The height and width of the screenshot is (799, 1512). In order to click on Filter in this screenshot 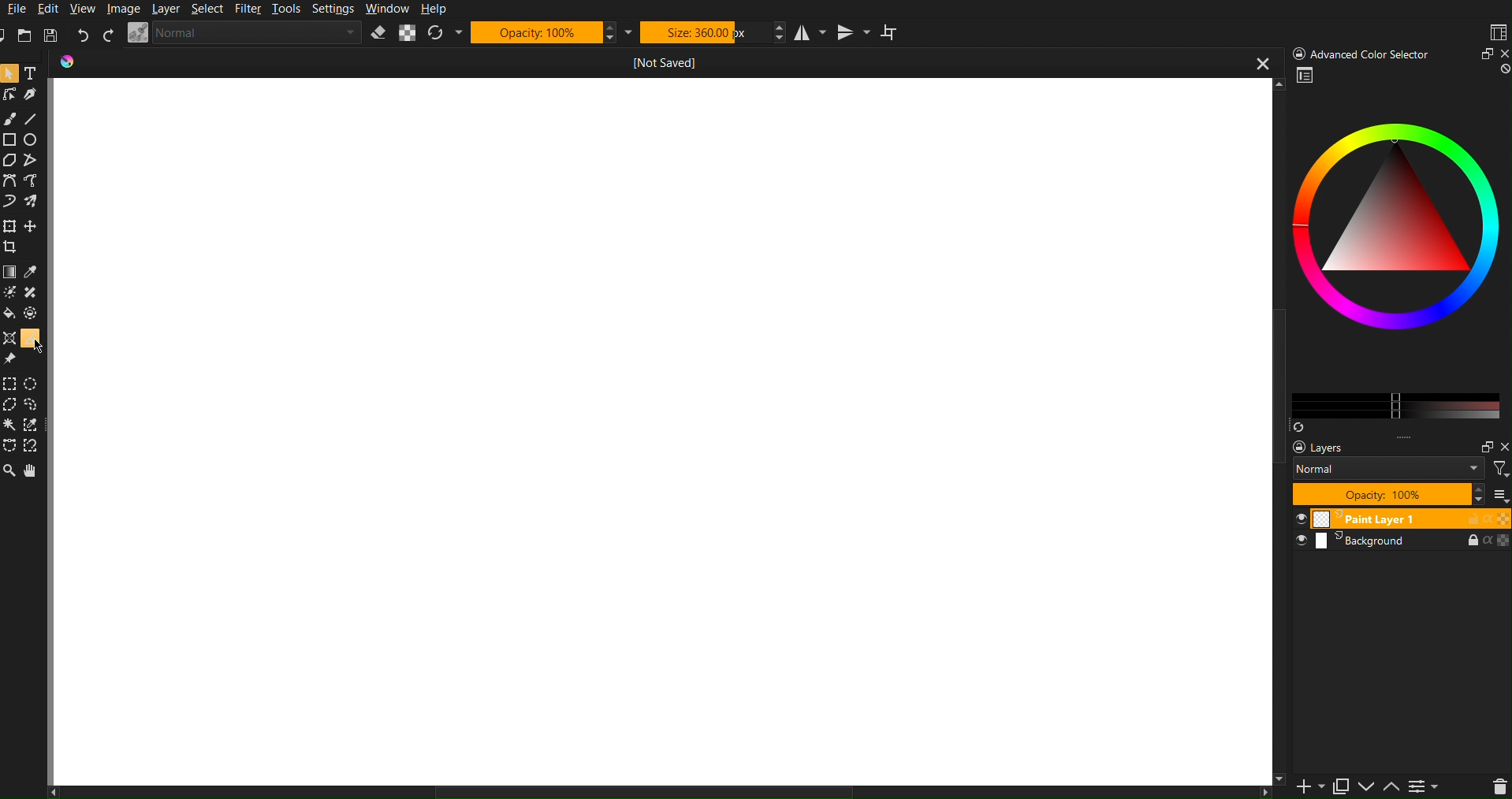, I will do `click(251, 9)`.